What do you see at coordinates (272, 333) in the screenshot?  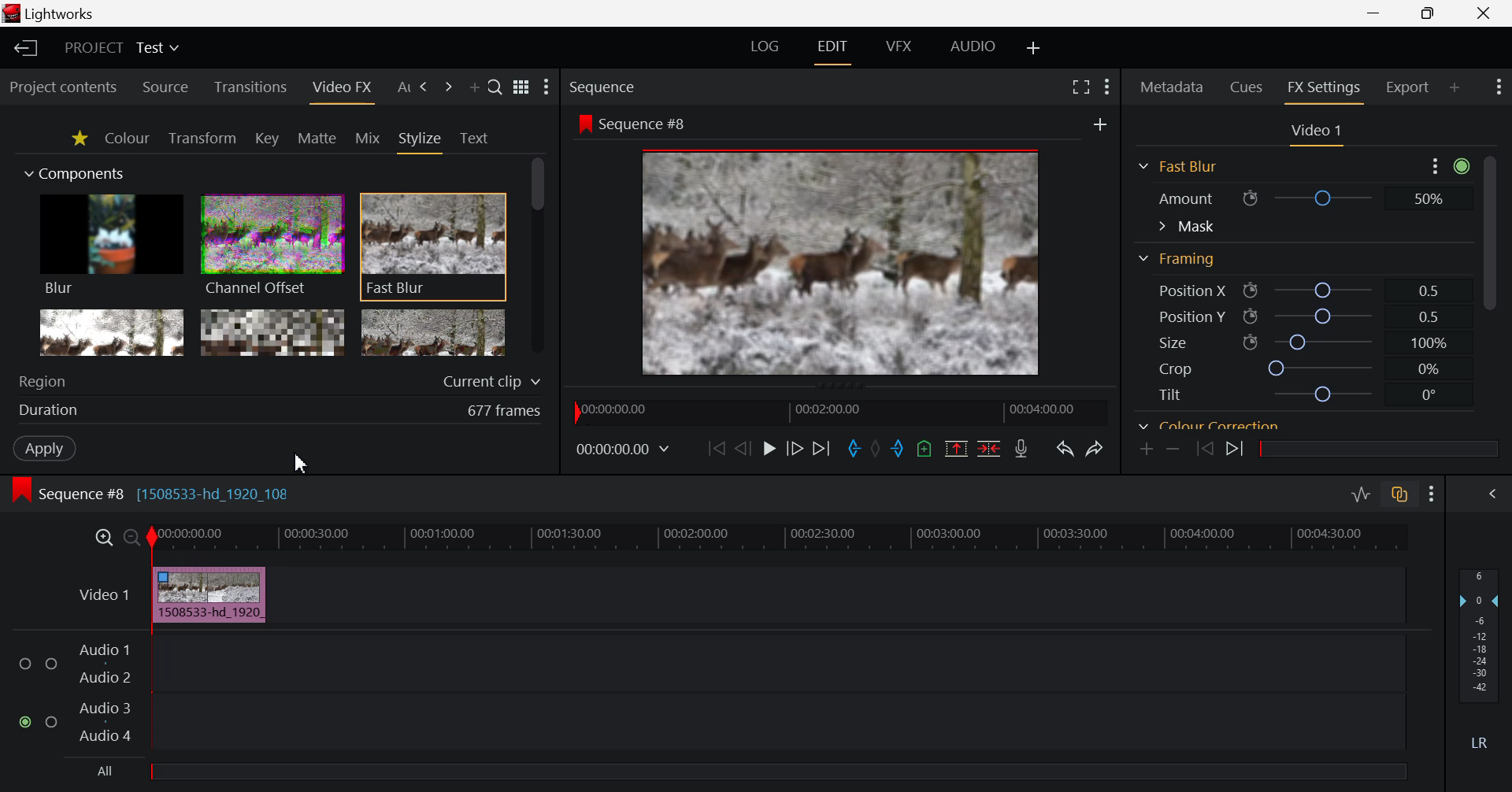 I see `Mosaic` at bounding box center [272, 333].